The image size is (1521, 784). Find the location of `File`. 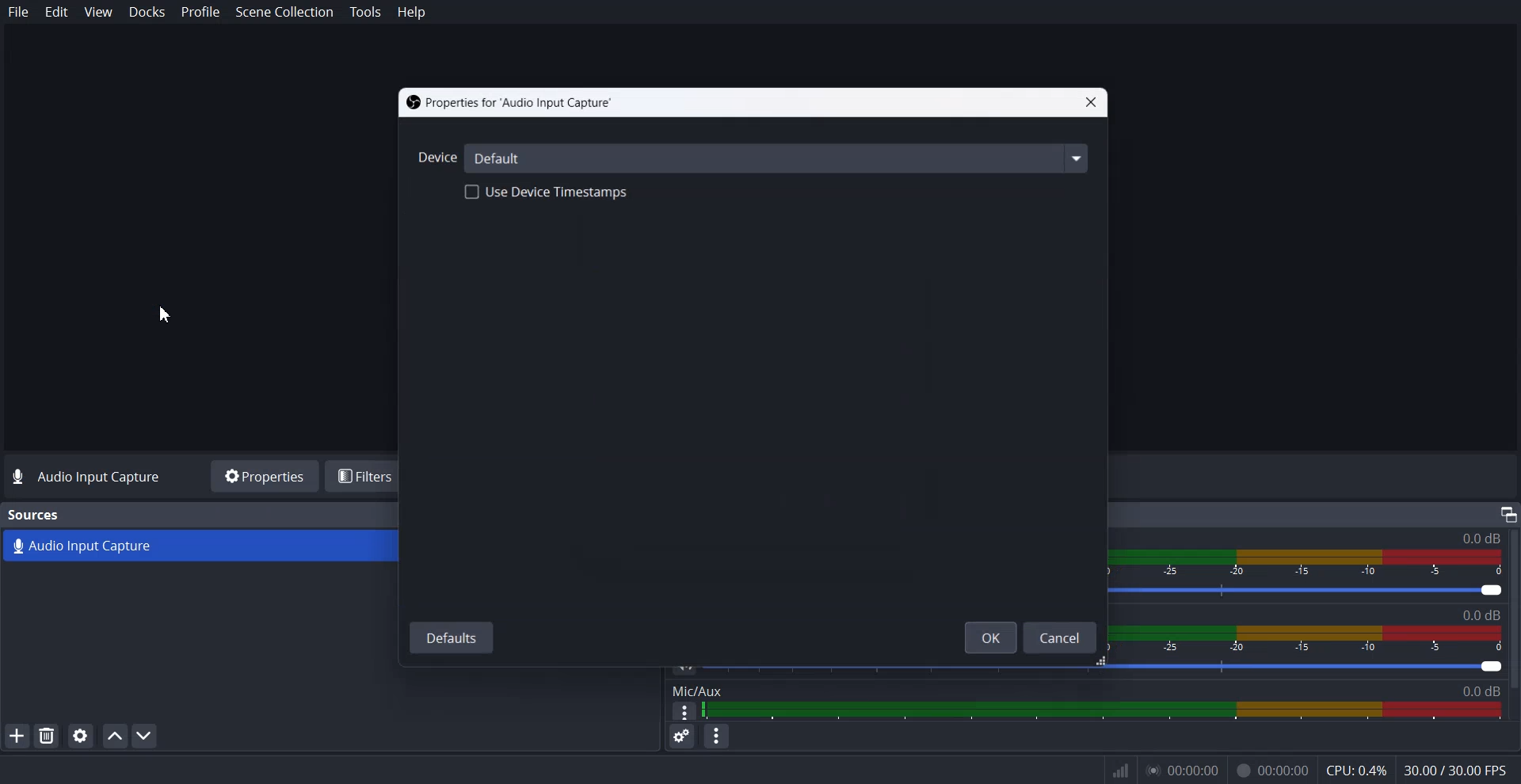

File is located at coordinates (19, 12).